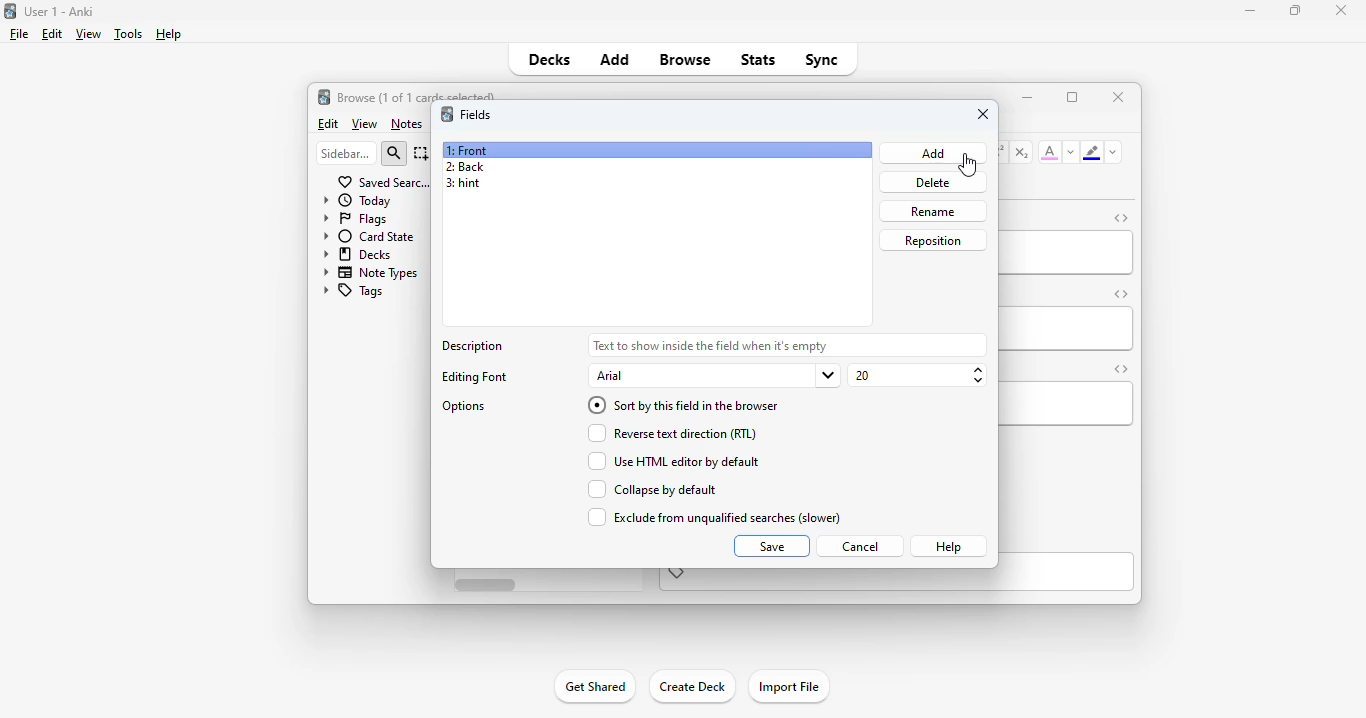 Image resolution: width=1366 pixels, height=718 pixels. Describe the element at coordinates (447, 113) in the screenshot. I see `logo` at that location.